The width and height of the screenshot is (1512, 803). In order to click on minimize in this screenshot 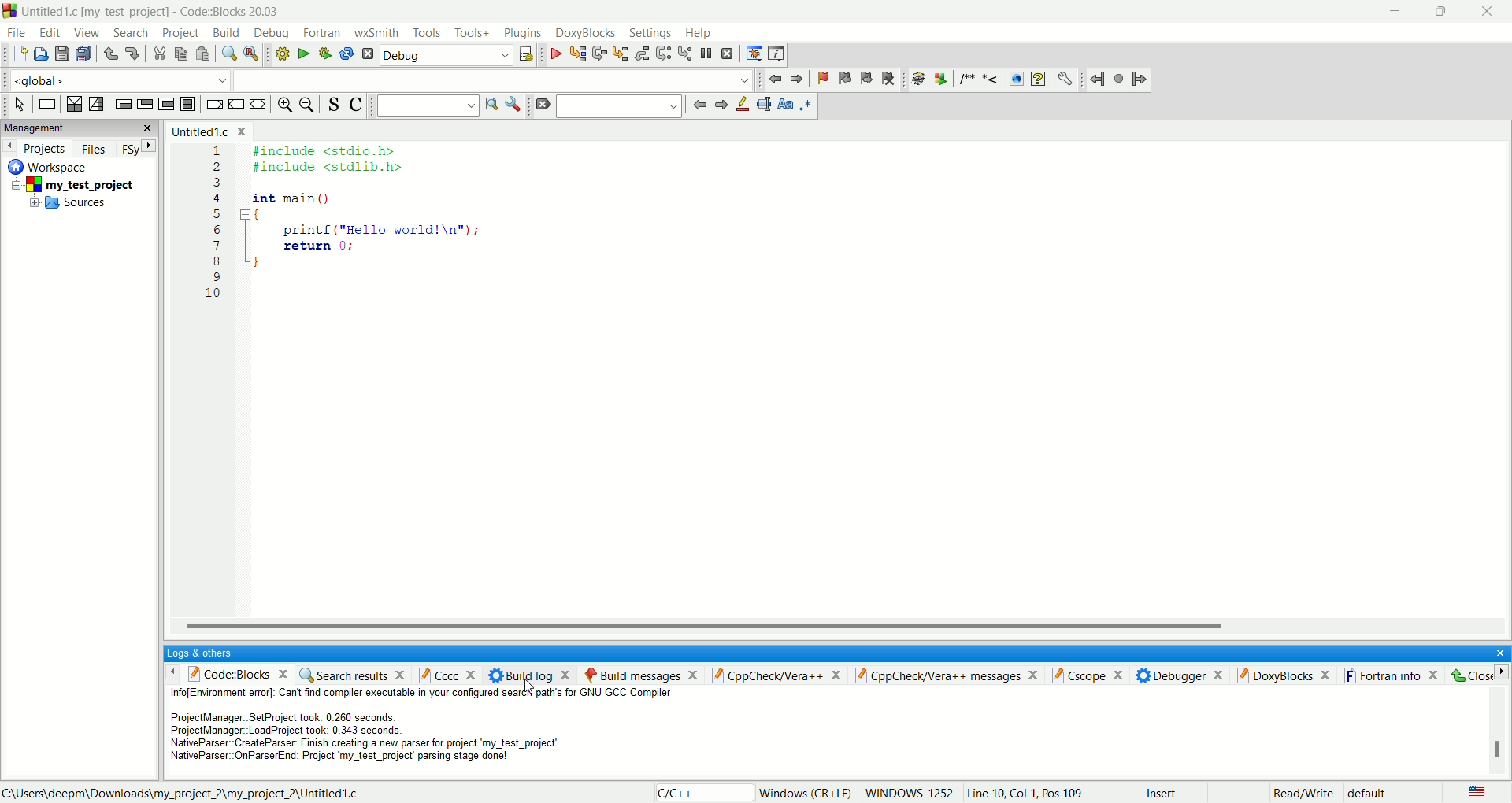, I will do `click(1398, 12)`.